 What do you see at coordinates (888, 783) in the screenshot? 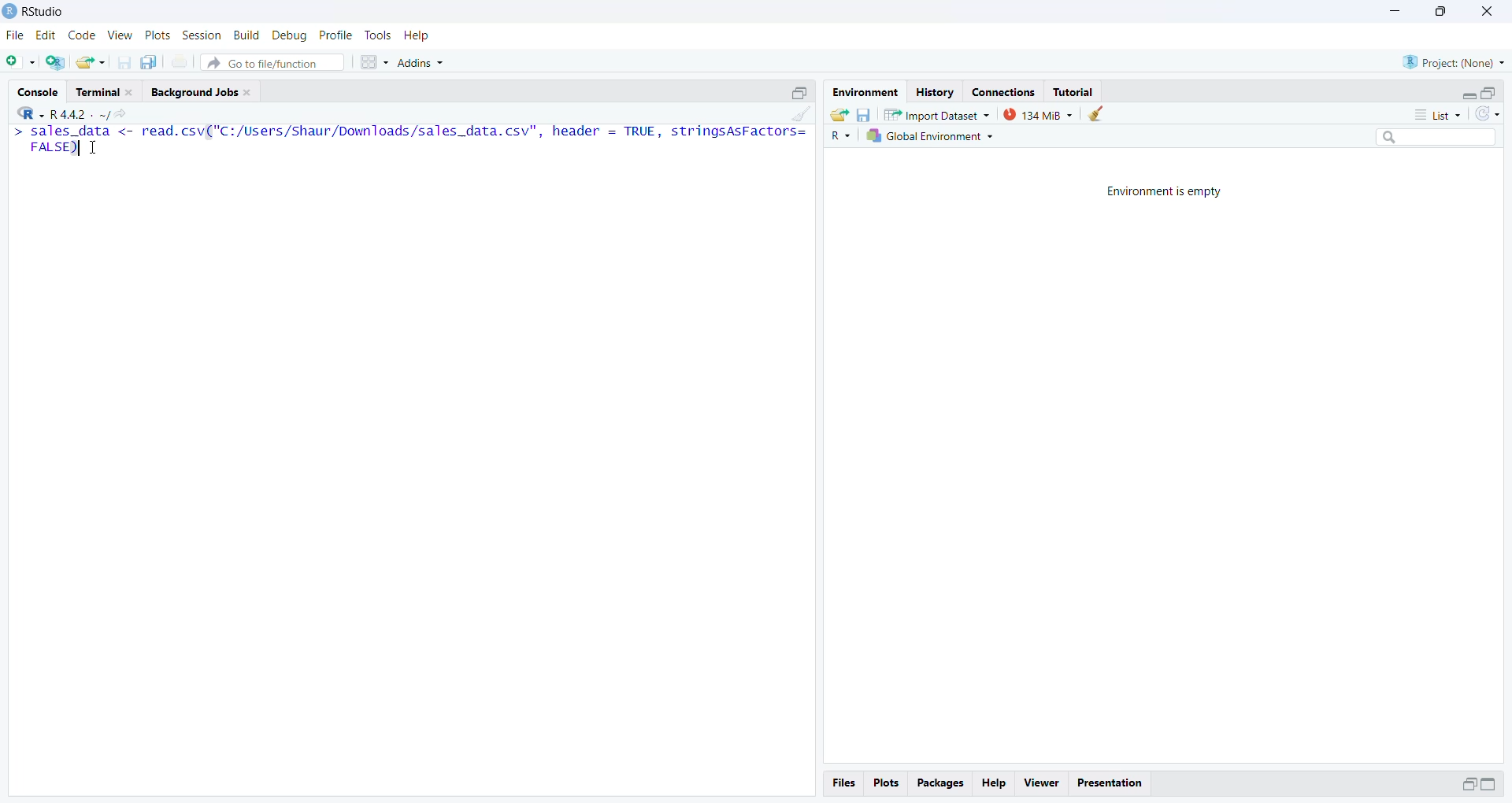
I see `Plots` at bounding box center [888, 783].